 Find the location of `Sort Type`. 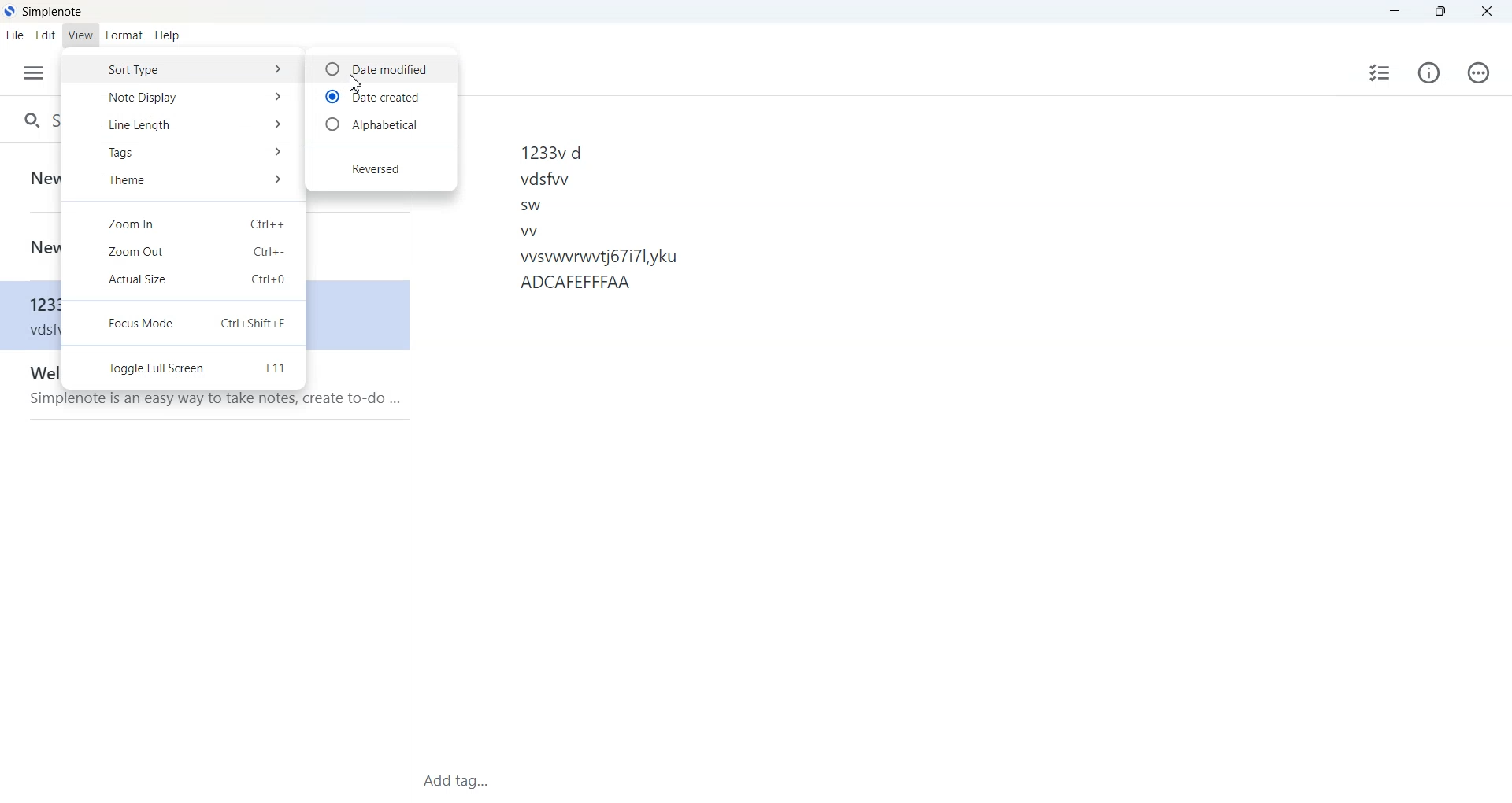

Sort Type is located at coordinates (183, 71).